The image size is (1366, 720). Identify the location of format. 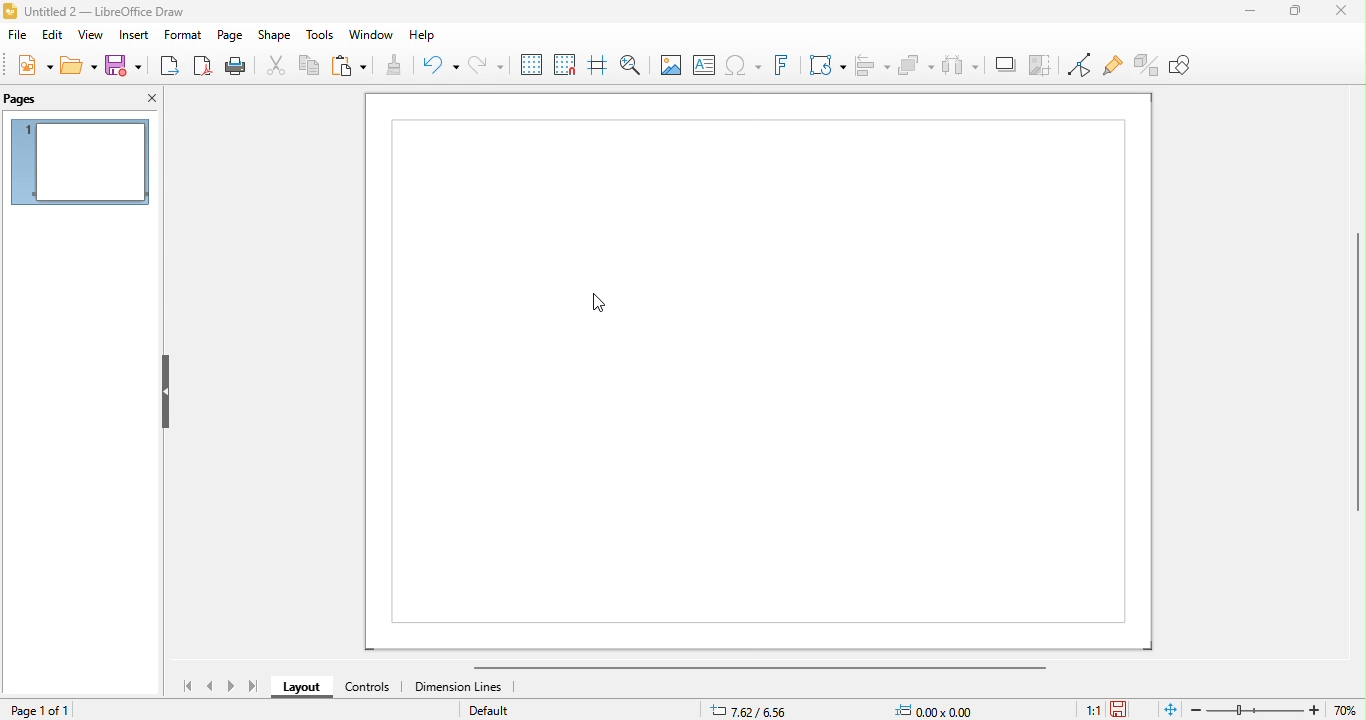
(183, 35).